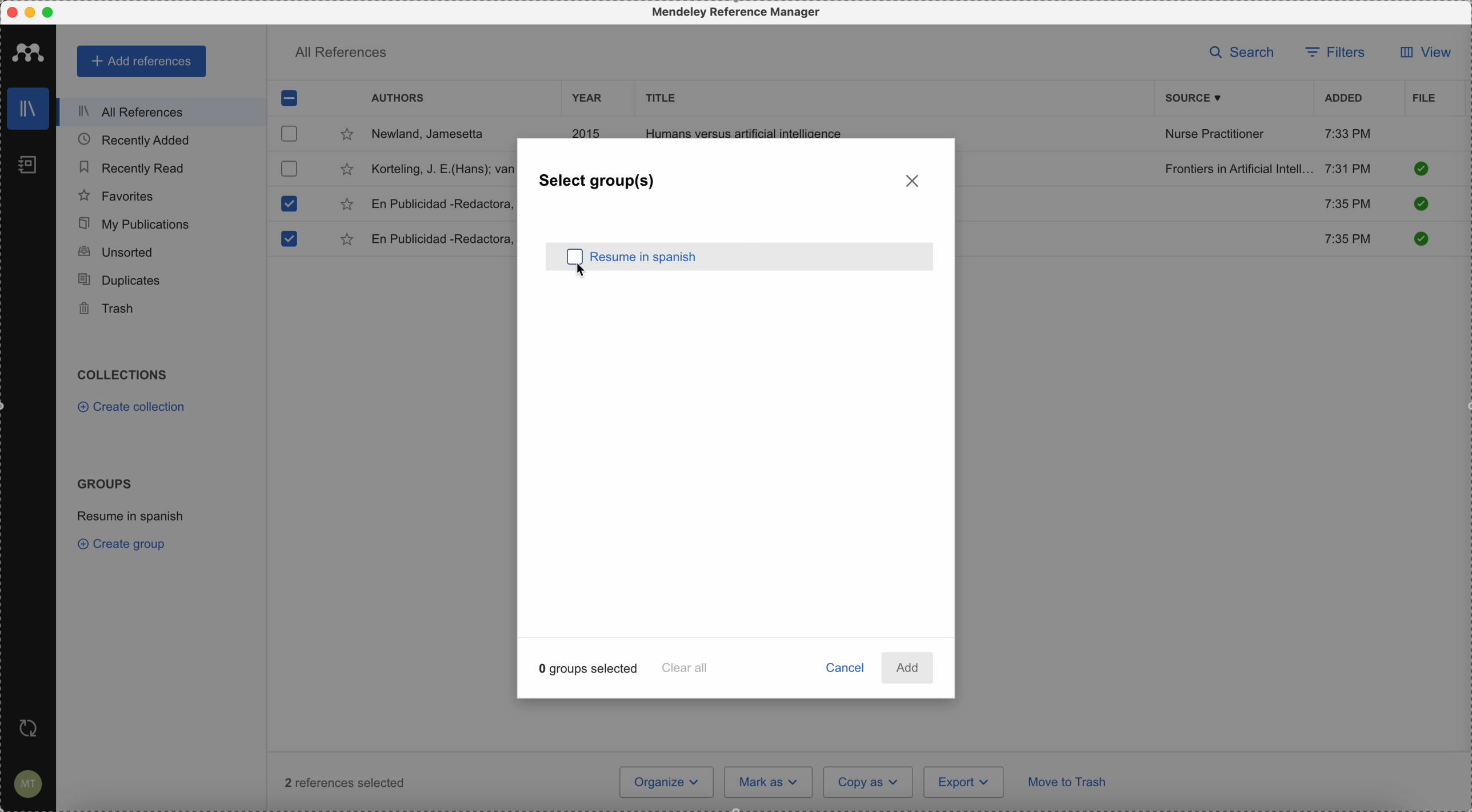 This screenshot has width=1472, height=812. What do you see at coordinates (134, 409) in the screenshot?
I see `create collection` at bounding box center [134, 409].